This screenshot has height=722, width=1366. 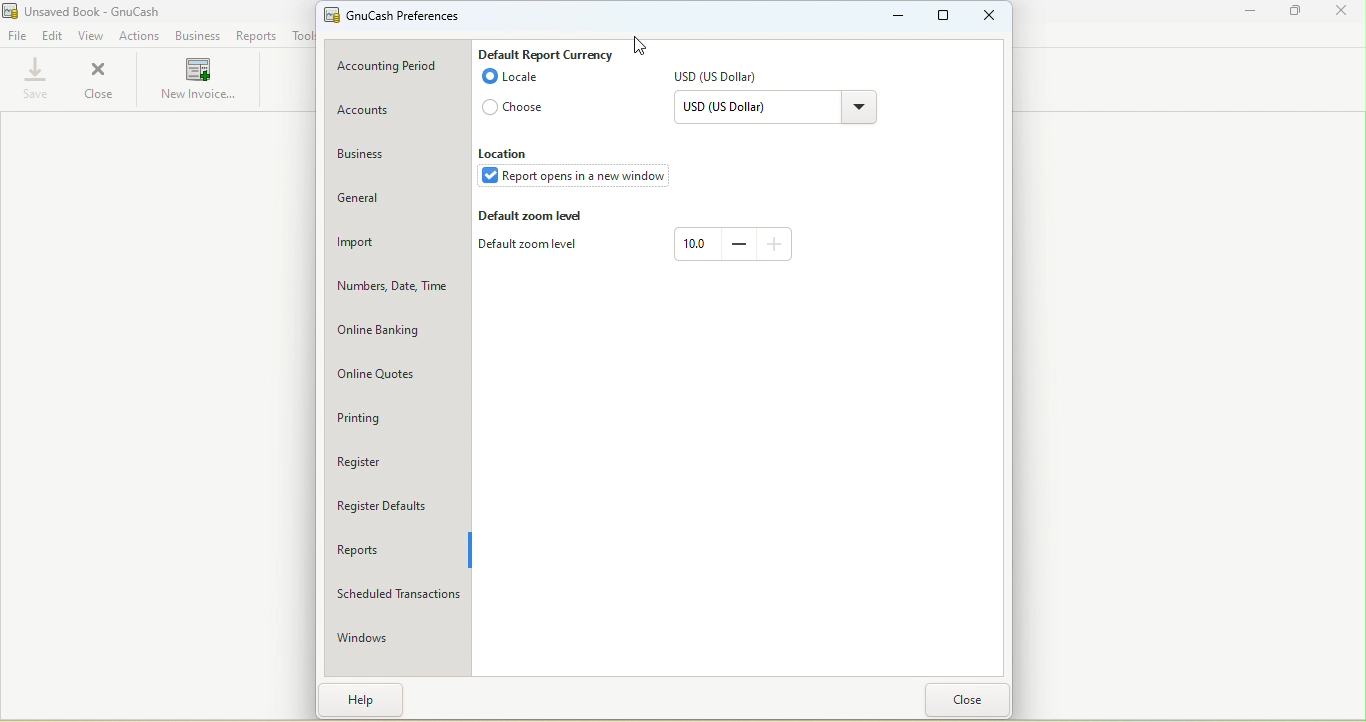 What do you see at coordinates (738, 243) in the screenshot?
I see `Decrease` at bounding box center [738, 243].